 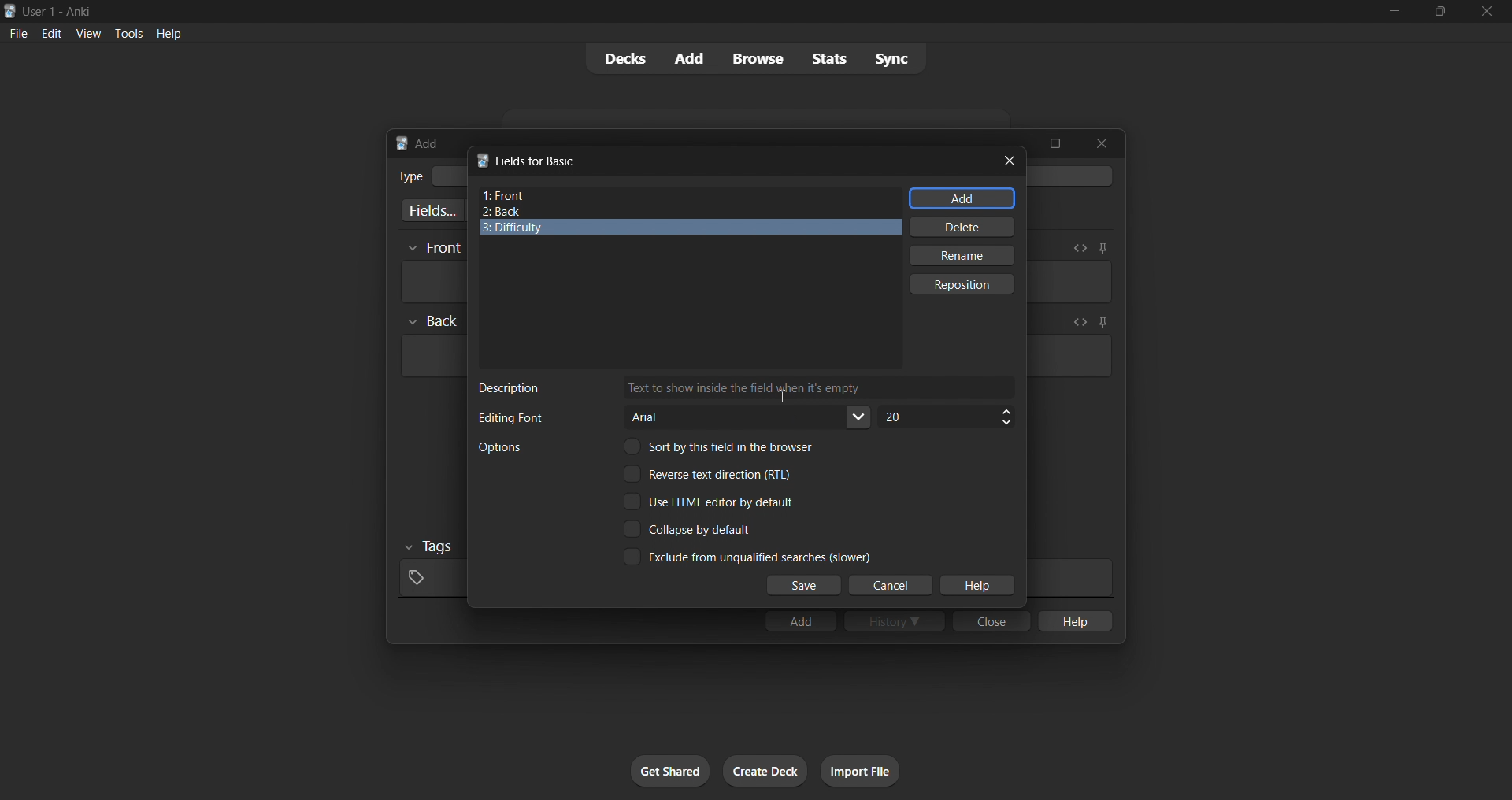 What do you see at coordinates (428, 143) in the screenshot?
I see `add title bar` at bounding box center [428, 143].